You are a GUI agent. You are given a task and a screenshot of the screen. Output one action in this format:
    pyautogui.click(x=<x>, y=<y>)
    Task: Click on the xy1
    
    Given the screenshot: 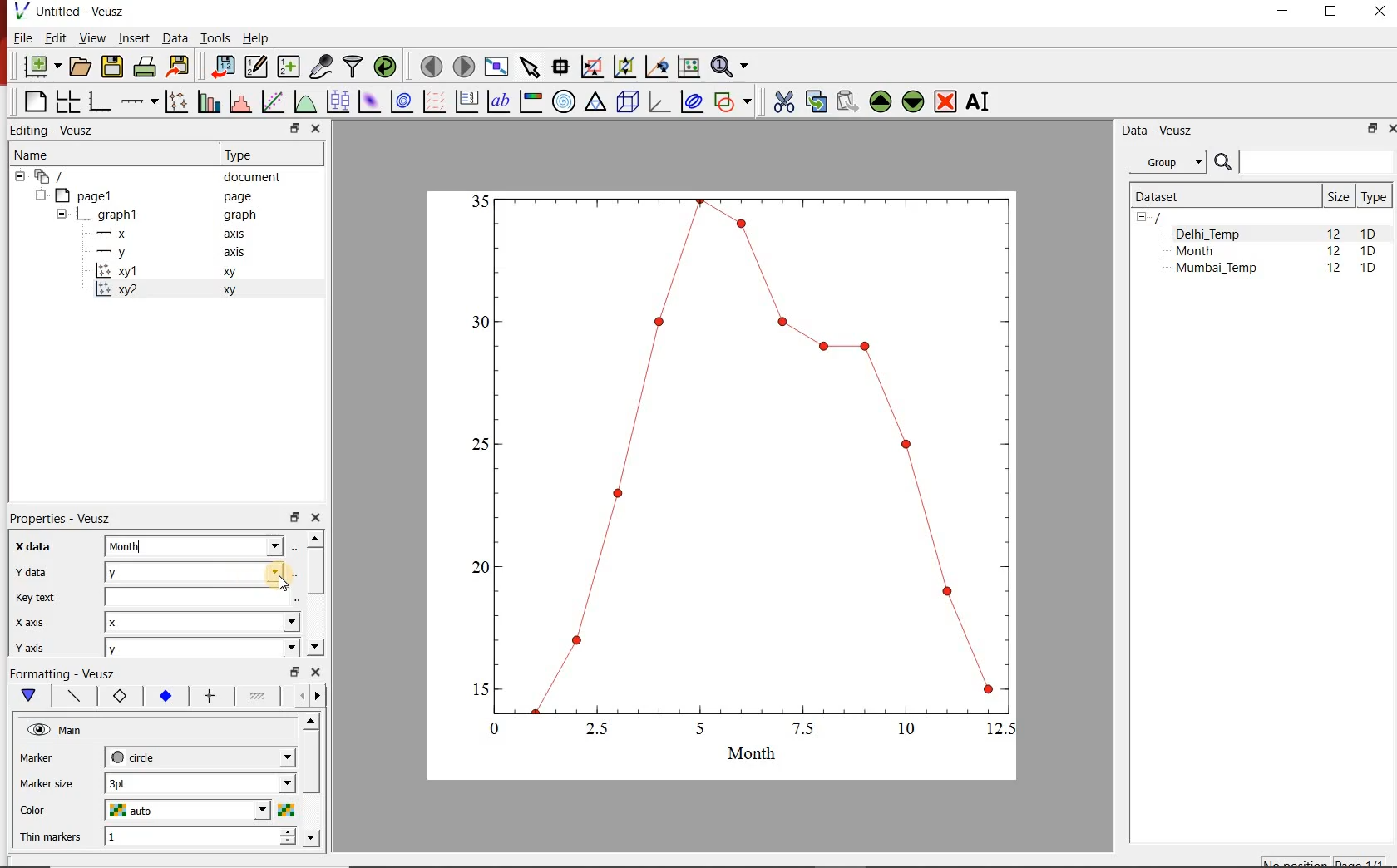 What is the action you would take?
    pyautogui.click(x=174, y=272)
    